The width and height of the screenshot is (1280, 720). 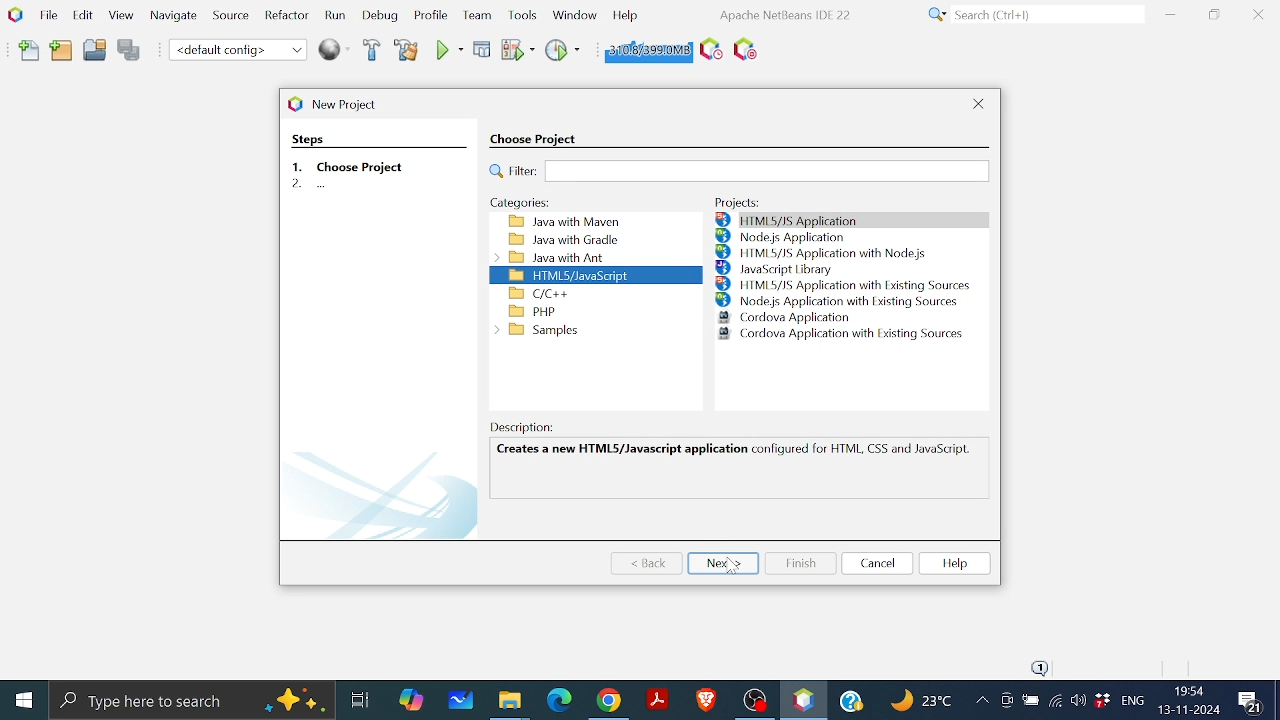 What do you see at coordinates (381, 16) in the screenshot?
I see `Debug` at bounding box center [381, 16].